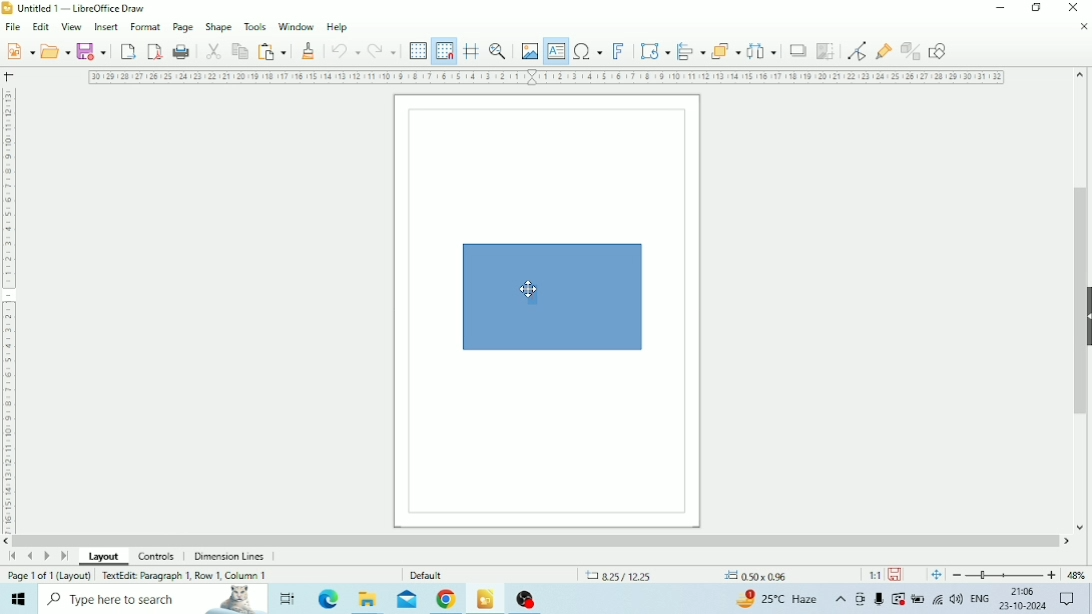 Image resolution: width=1092 pixels, height=614 pixels. What do you see at coordinates (1024, 607) in the screenshot?
I see `Date` at bounding box center [1024, 607].